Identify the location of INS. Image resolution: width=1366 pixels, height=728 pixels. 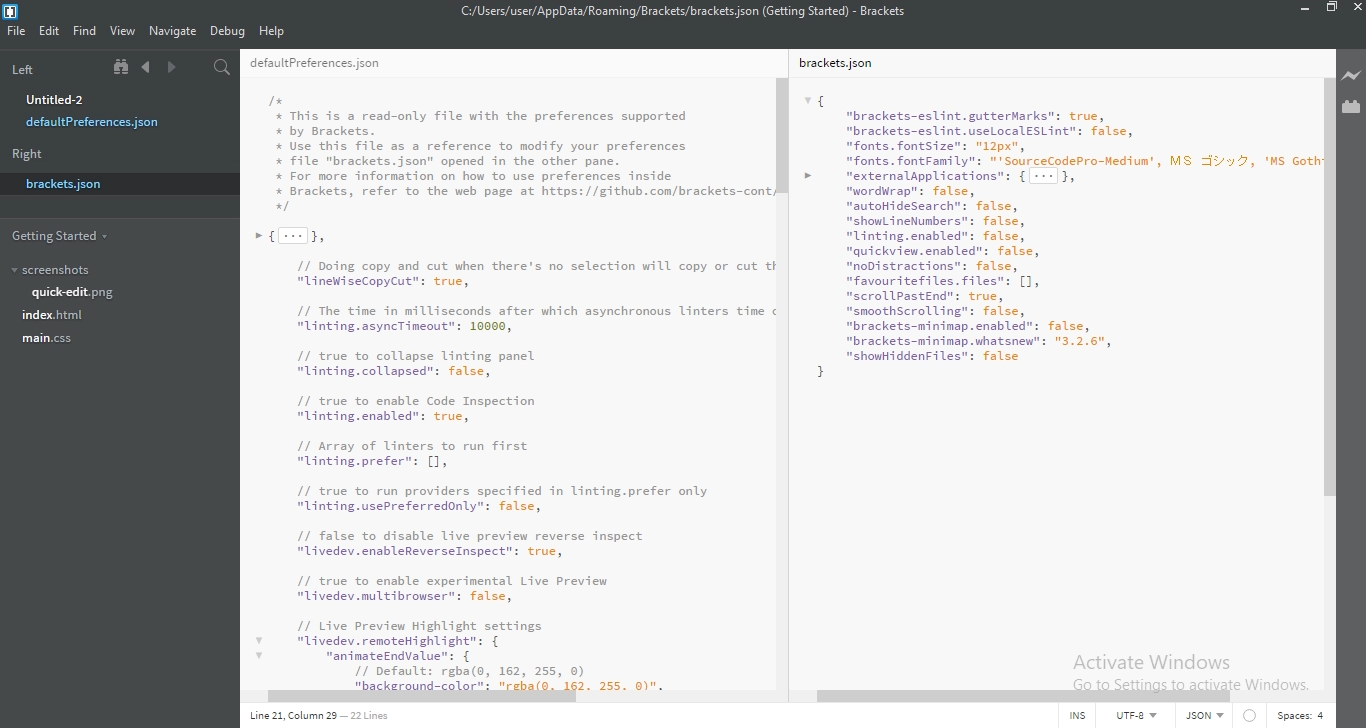
(1084, 716).